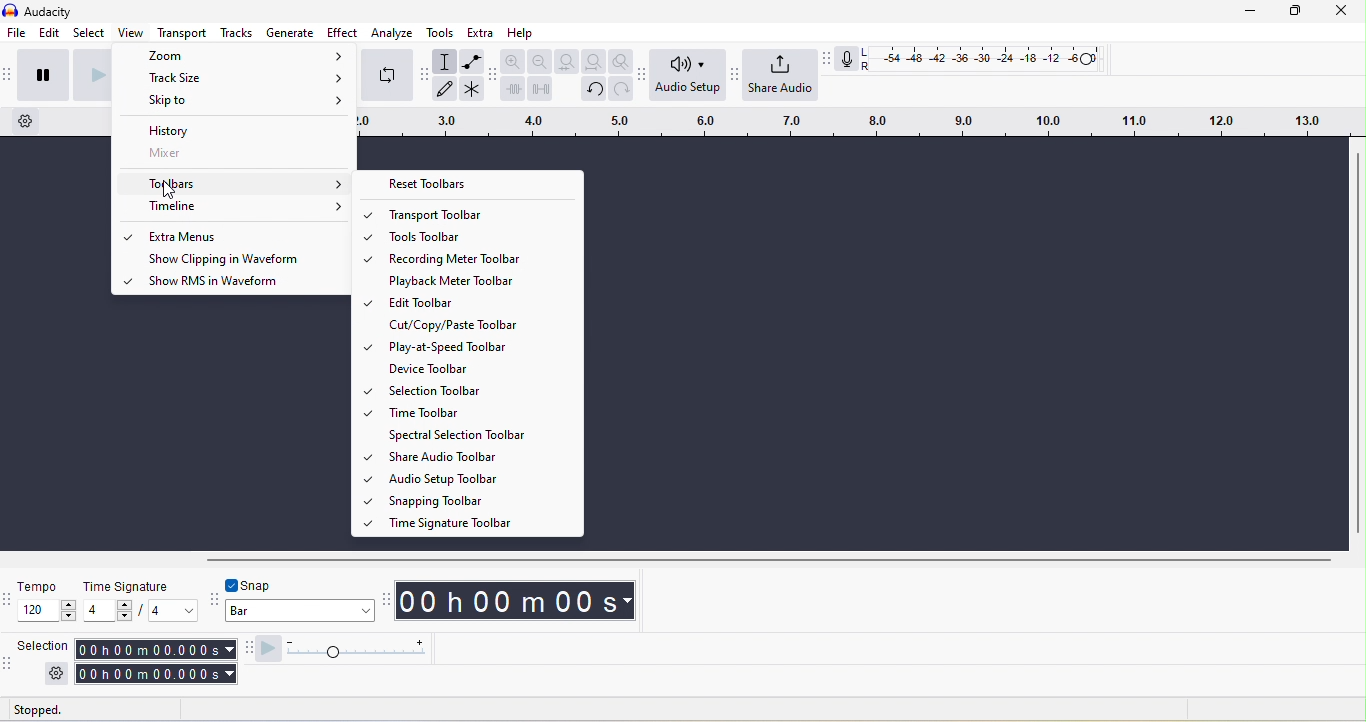  Describe the element at coordinates (444, 88) in the screenshot. I see `draw tool` at that location.